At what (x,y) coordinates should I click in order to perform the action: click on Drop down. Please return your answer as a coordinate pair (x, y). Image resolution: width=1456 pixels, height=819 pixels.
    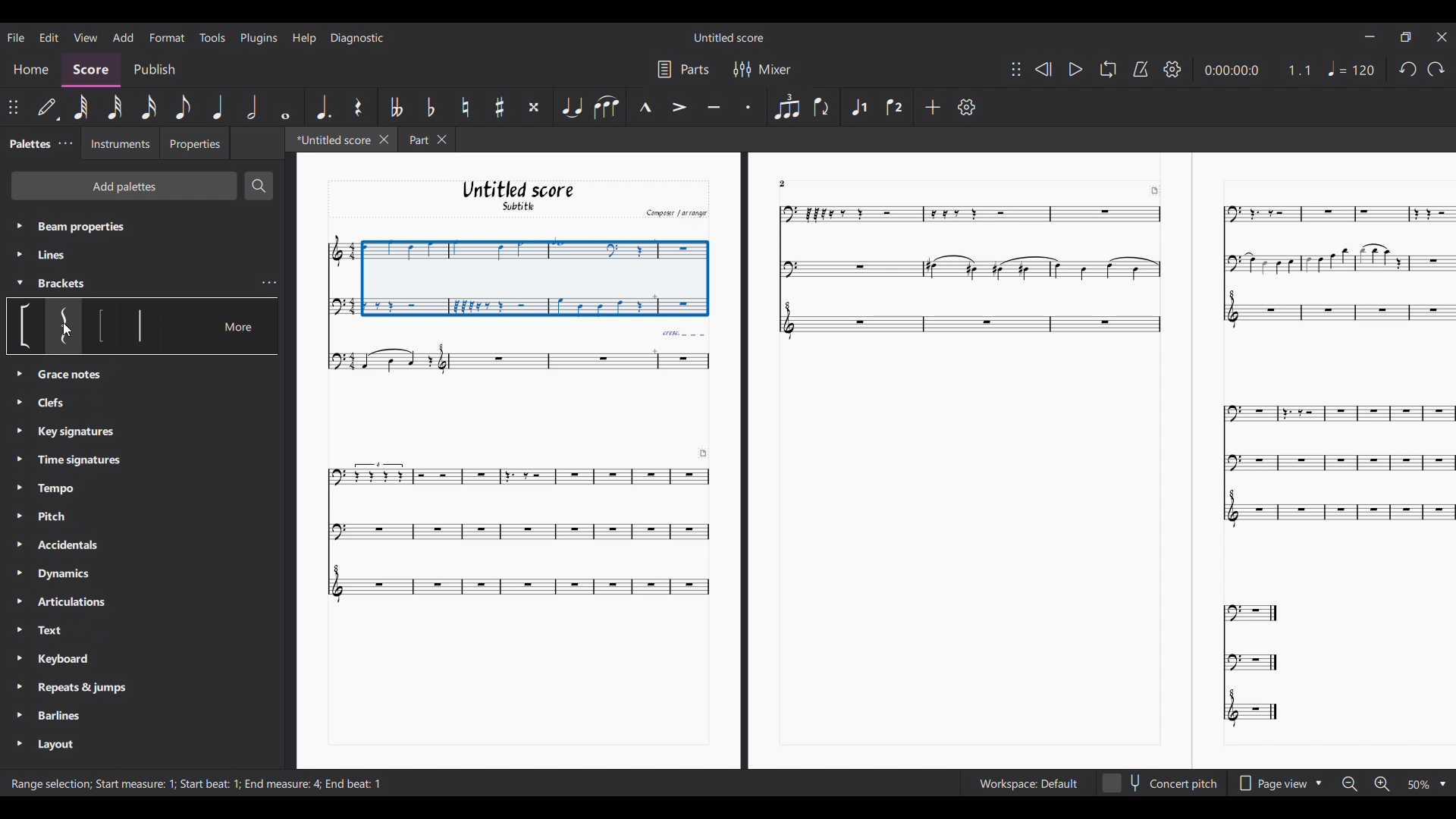
    Looking at the image, I should click on (1321, 782).